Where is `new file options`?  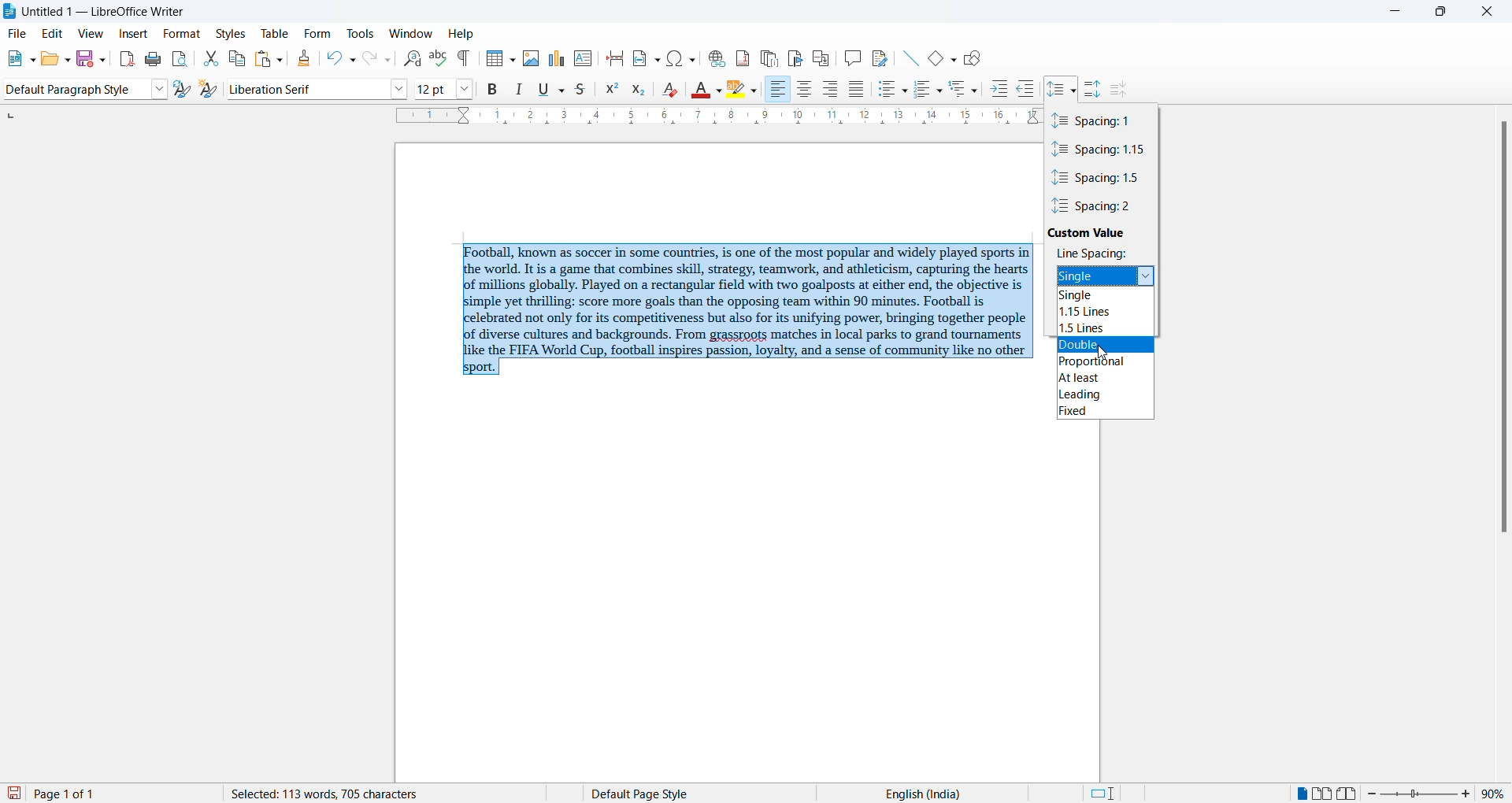 new file options is located at coordinates (29, 58).